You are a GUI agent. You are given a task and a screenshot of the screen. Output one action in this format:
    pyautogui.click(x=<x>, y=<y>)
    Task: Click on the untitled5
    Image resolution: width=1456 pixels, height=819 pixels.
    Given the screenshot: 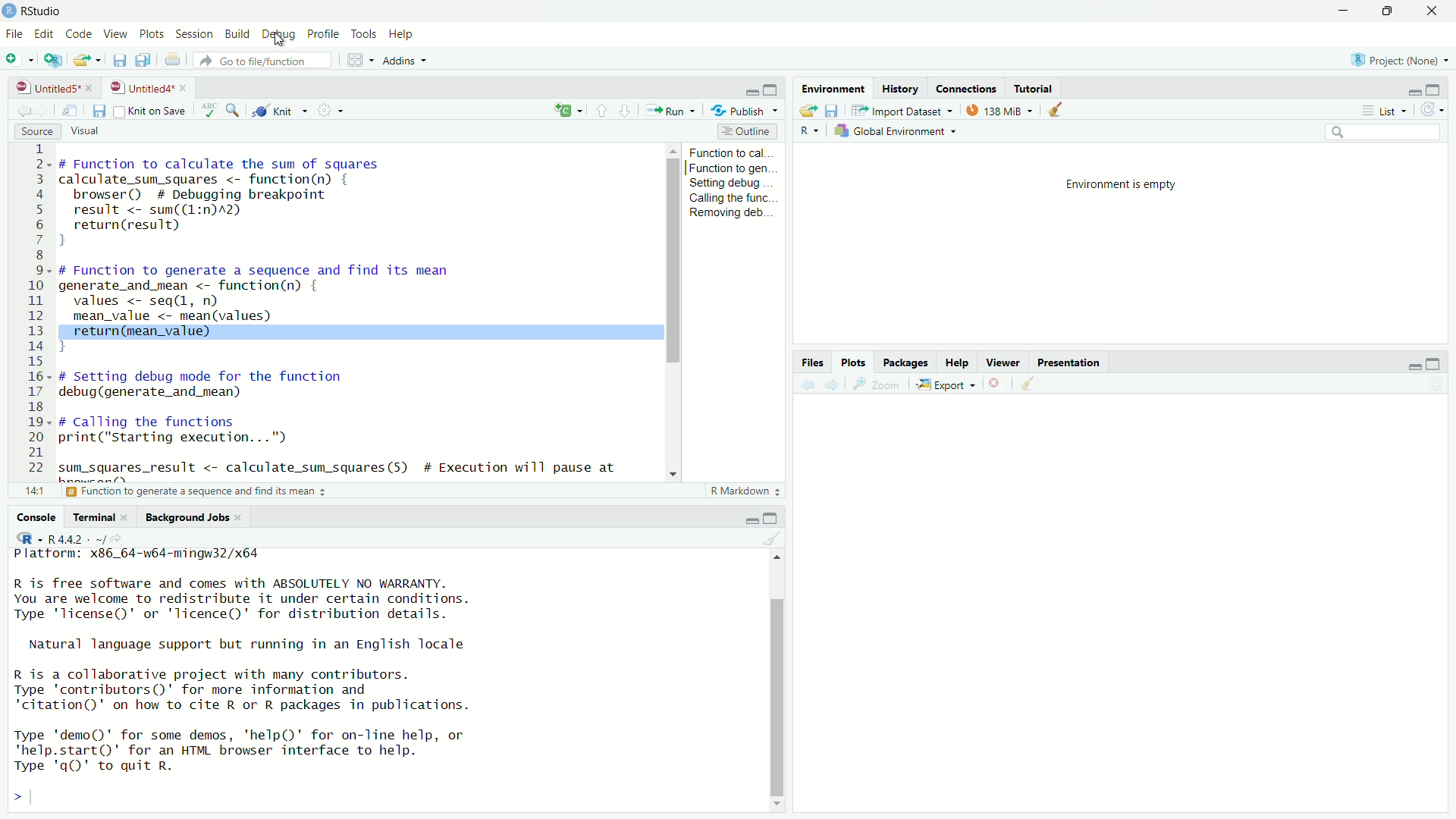 What is the action you would take?
    pyautogui.click(x=42, y=86)
    